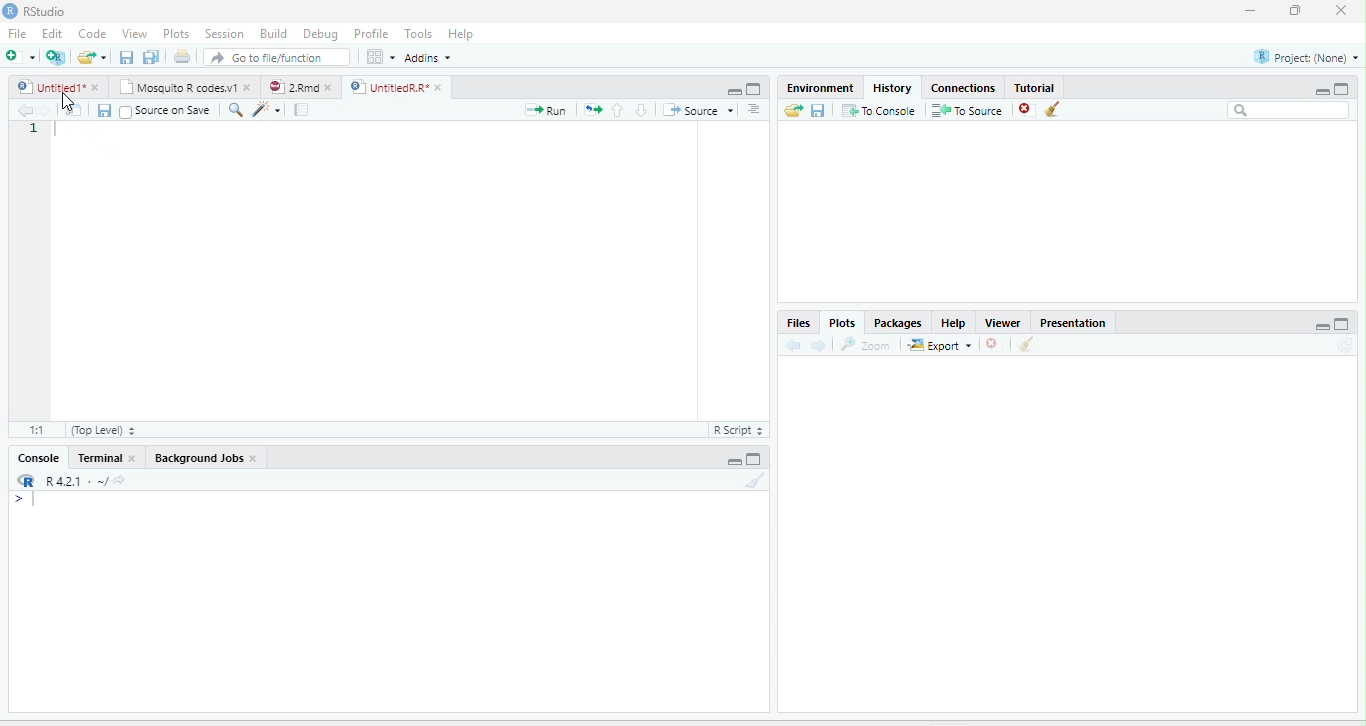 The width and height of the screenshot is (1366, 726). Describe the element at coordinates (940, 345) in the screenshot. I see `Export` at that location.